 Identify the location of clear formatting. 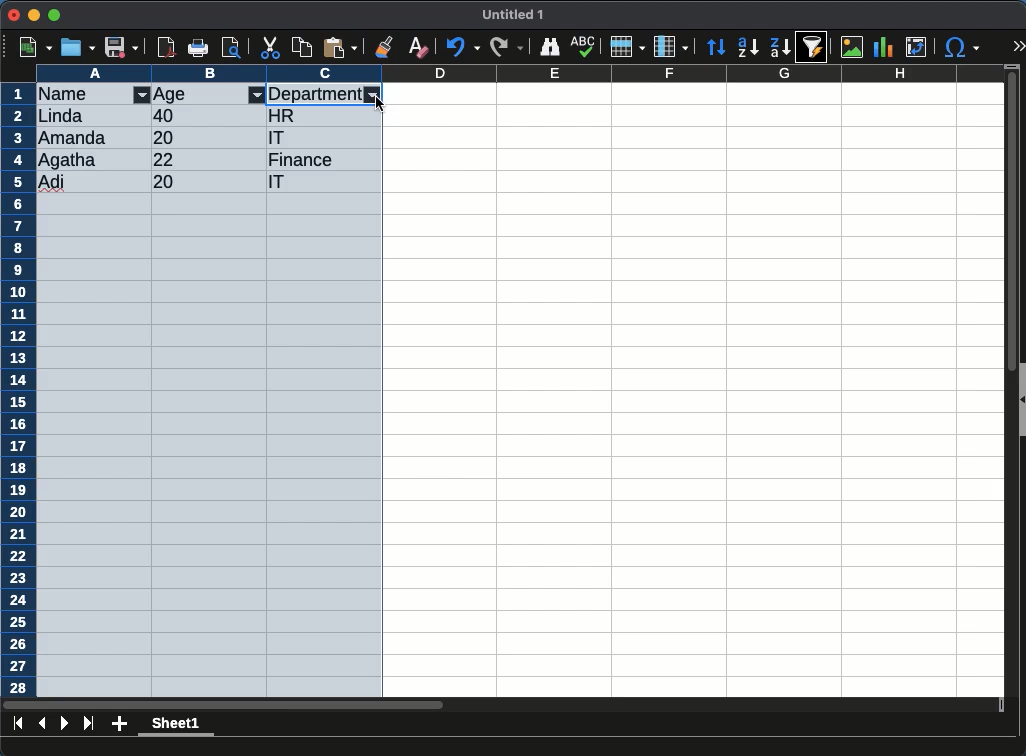
(418, 46).